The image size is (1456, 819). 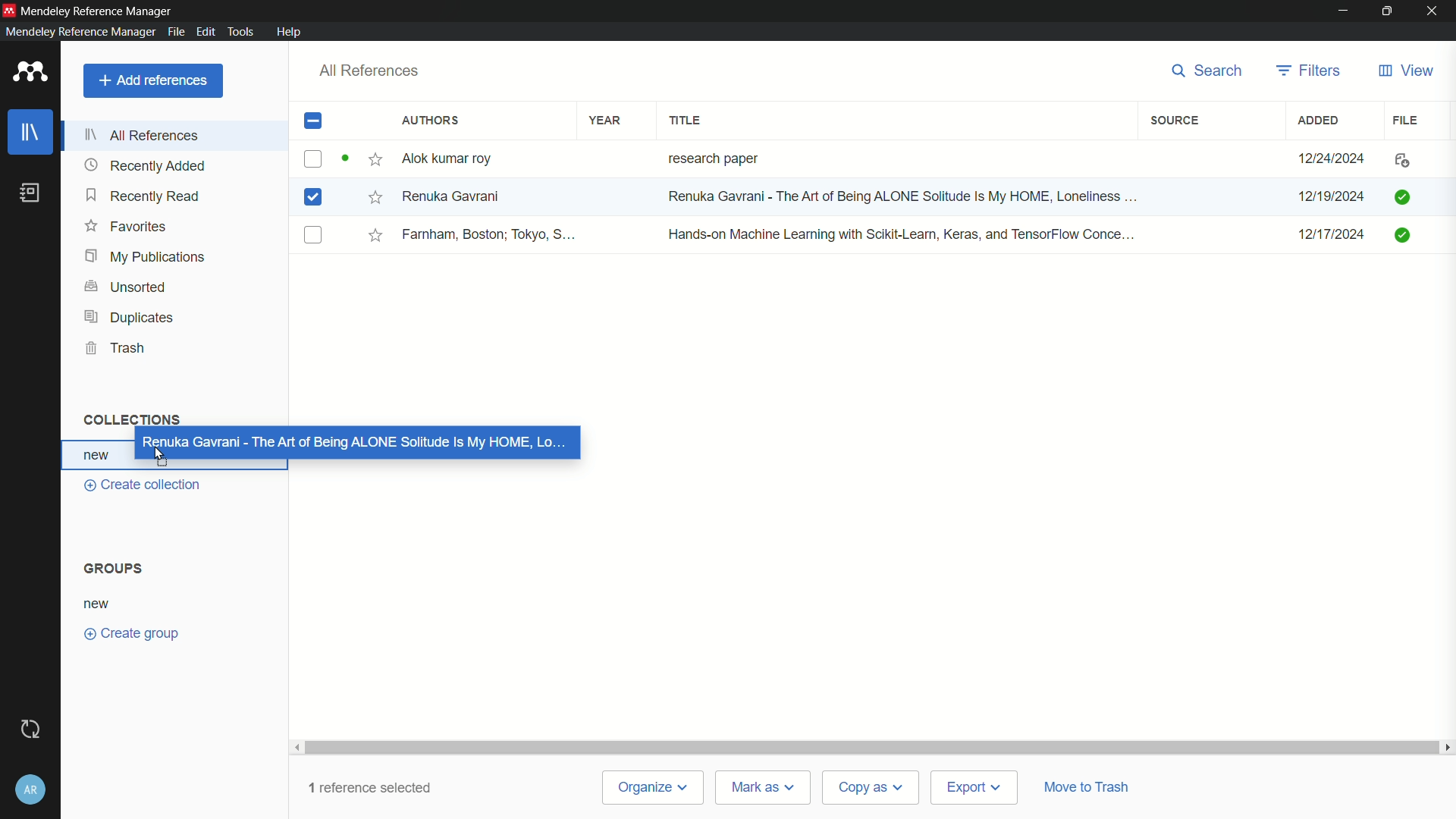 What do you see at coordinates (9, 10) in the screenshot?
I see `app icon` at bounding box center [9, 10].